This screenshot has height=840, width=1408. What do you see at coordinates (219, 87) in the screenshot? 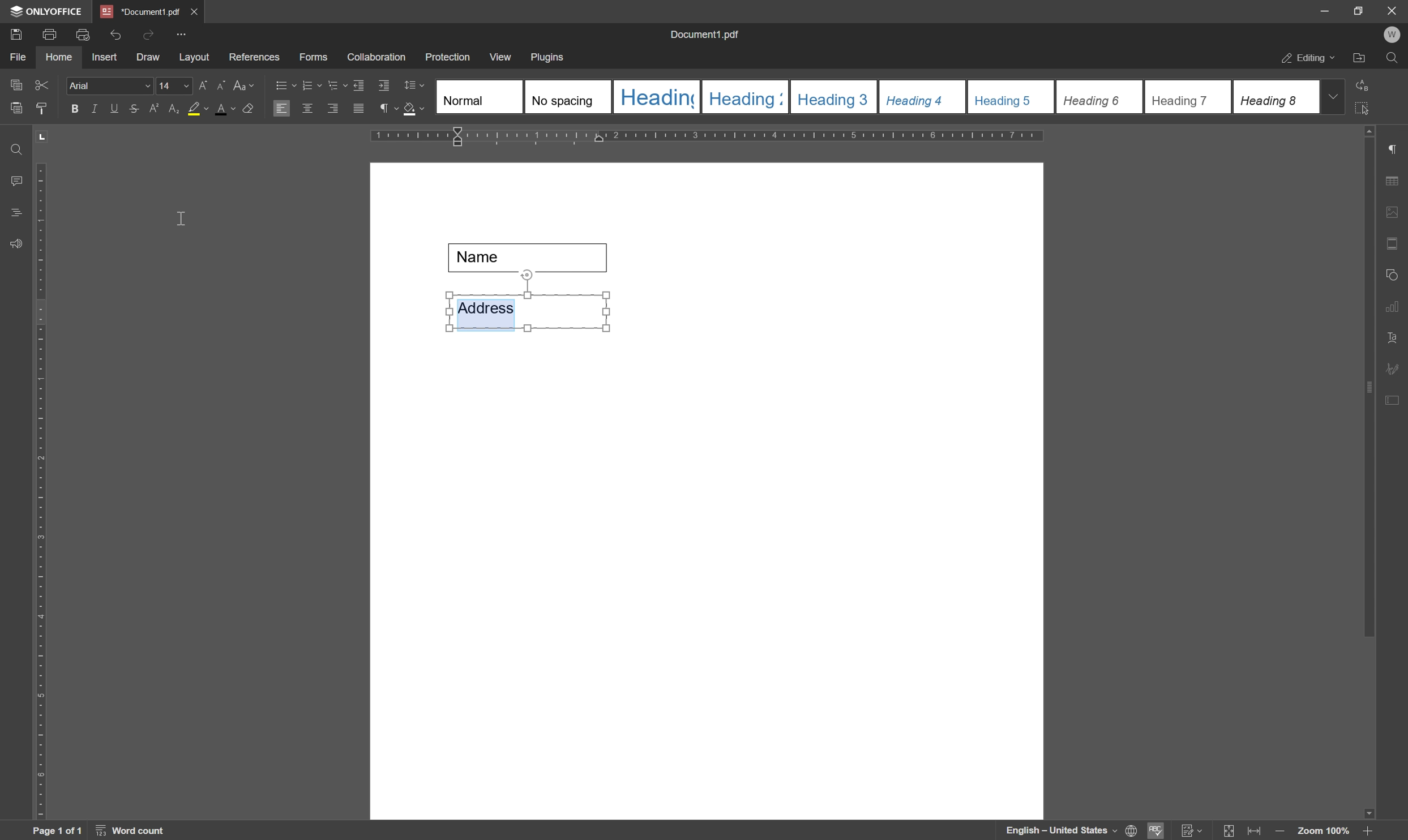
I see `decrement font size` at bounding box center [219, 87].